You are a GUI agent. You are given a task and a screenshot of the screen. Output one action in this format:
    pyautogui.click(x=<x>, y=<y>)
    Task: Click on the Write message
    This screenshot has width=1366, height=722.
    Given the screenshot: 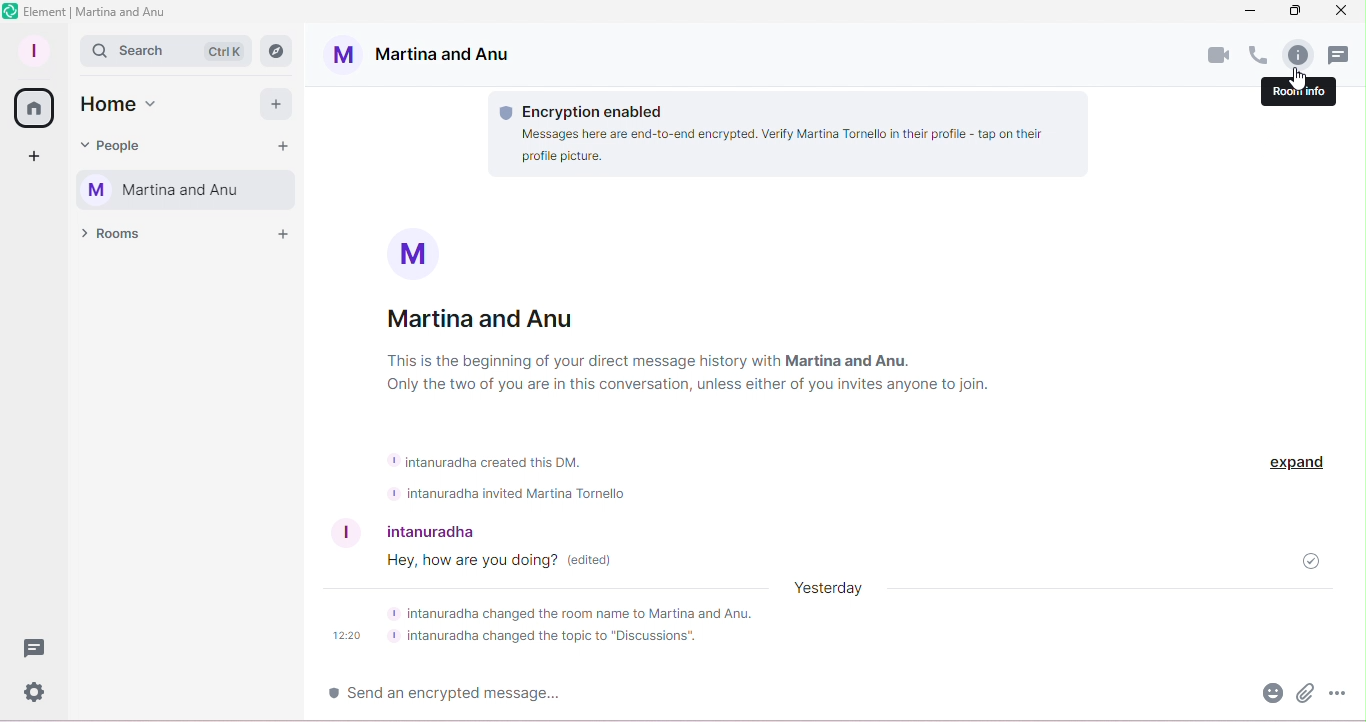 What is the action you would take?
    pyautogui.click(x=745, y=696)
    